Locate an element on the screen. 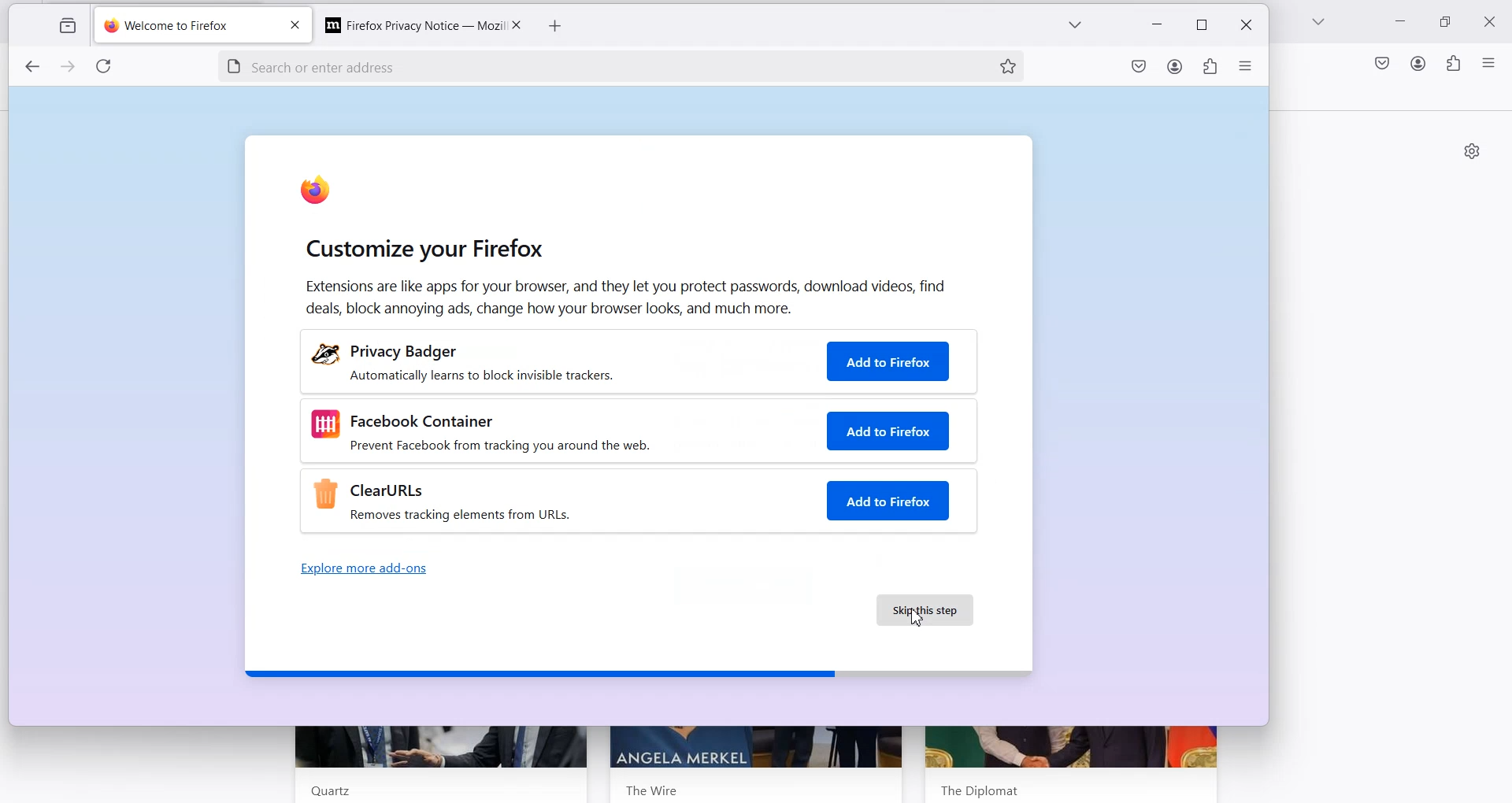 The image size is (1512, 803). Add to Firefox is located at coordinates (889, 361).